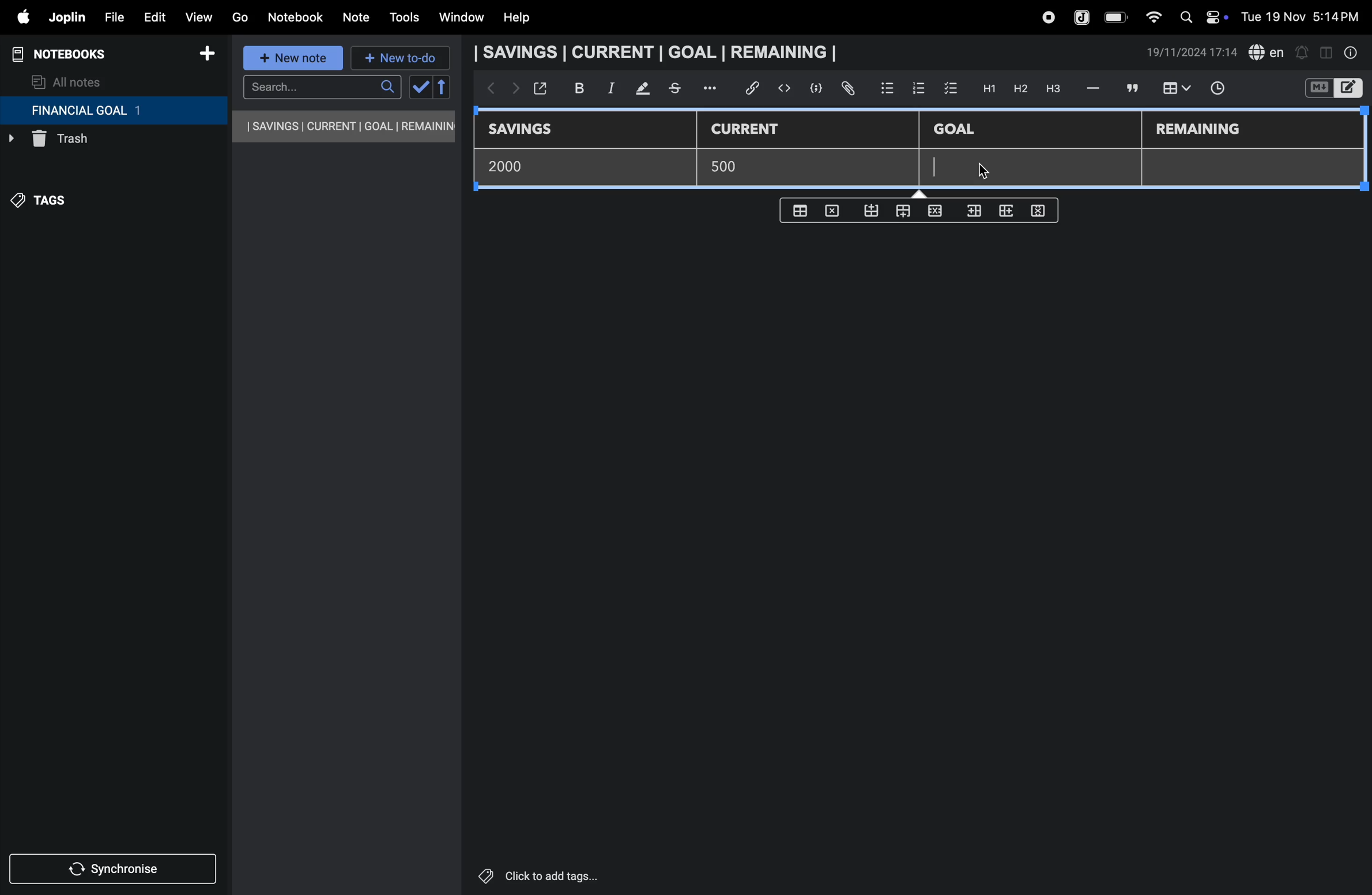 The height and width of the screenshot is (895, 1372). I want to click on insert table, so click(1174, 89).